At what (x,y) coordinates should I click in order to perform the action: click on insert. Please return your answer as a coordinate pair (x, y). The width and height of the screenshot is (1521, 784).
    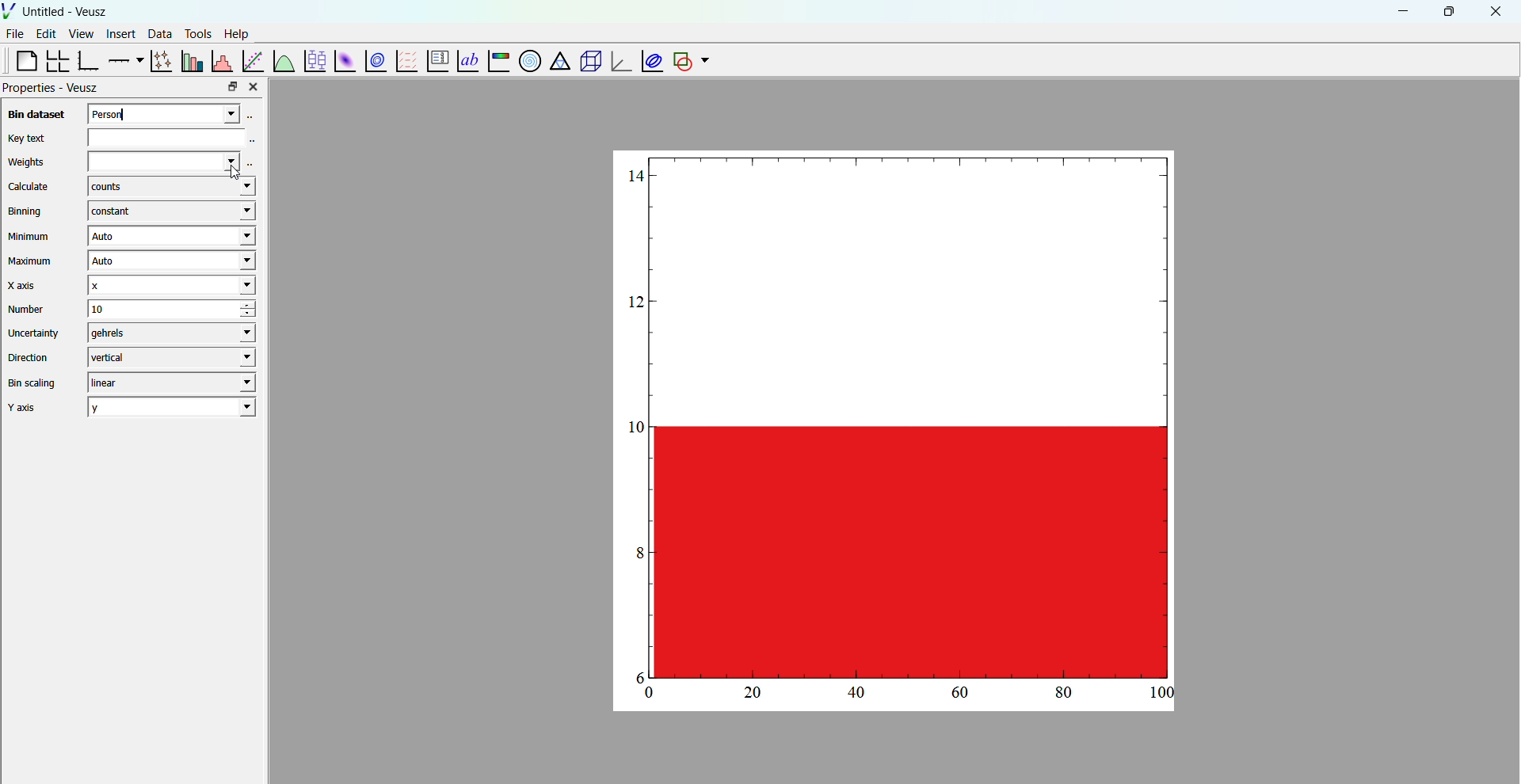
    Looking at the image, I should click on (118, 32).